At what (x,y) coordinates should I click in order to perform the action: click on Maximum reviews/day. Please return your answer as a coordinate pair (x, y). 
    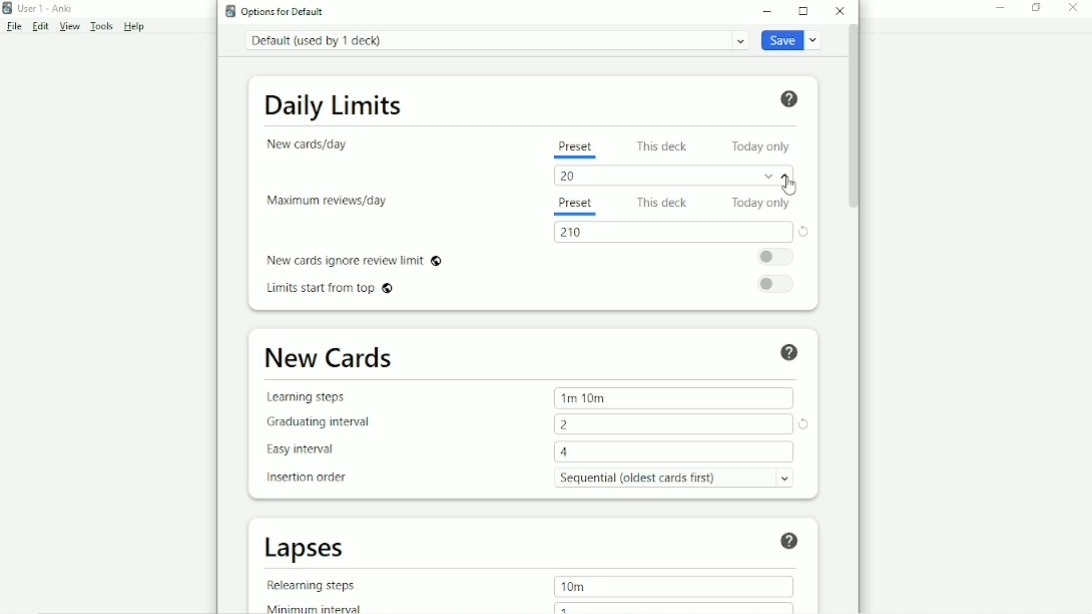
    Looking at the image, I should click on (332, 203).